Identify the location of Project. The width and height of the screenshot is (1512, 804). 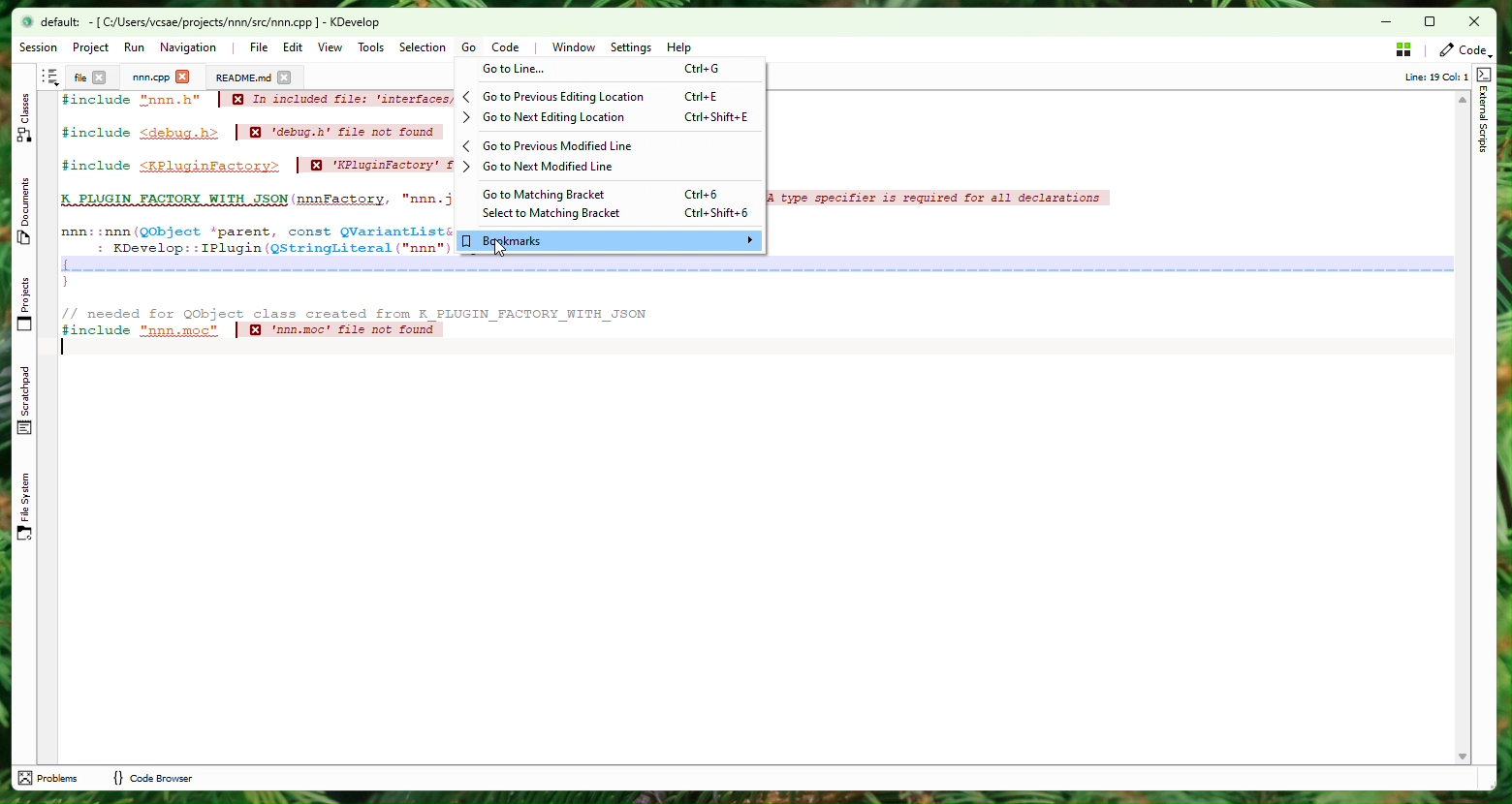
(150, 77).